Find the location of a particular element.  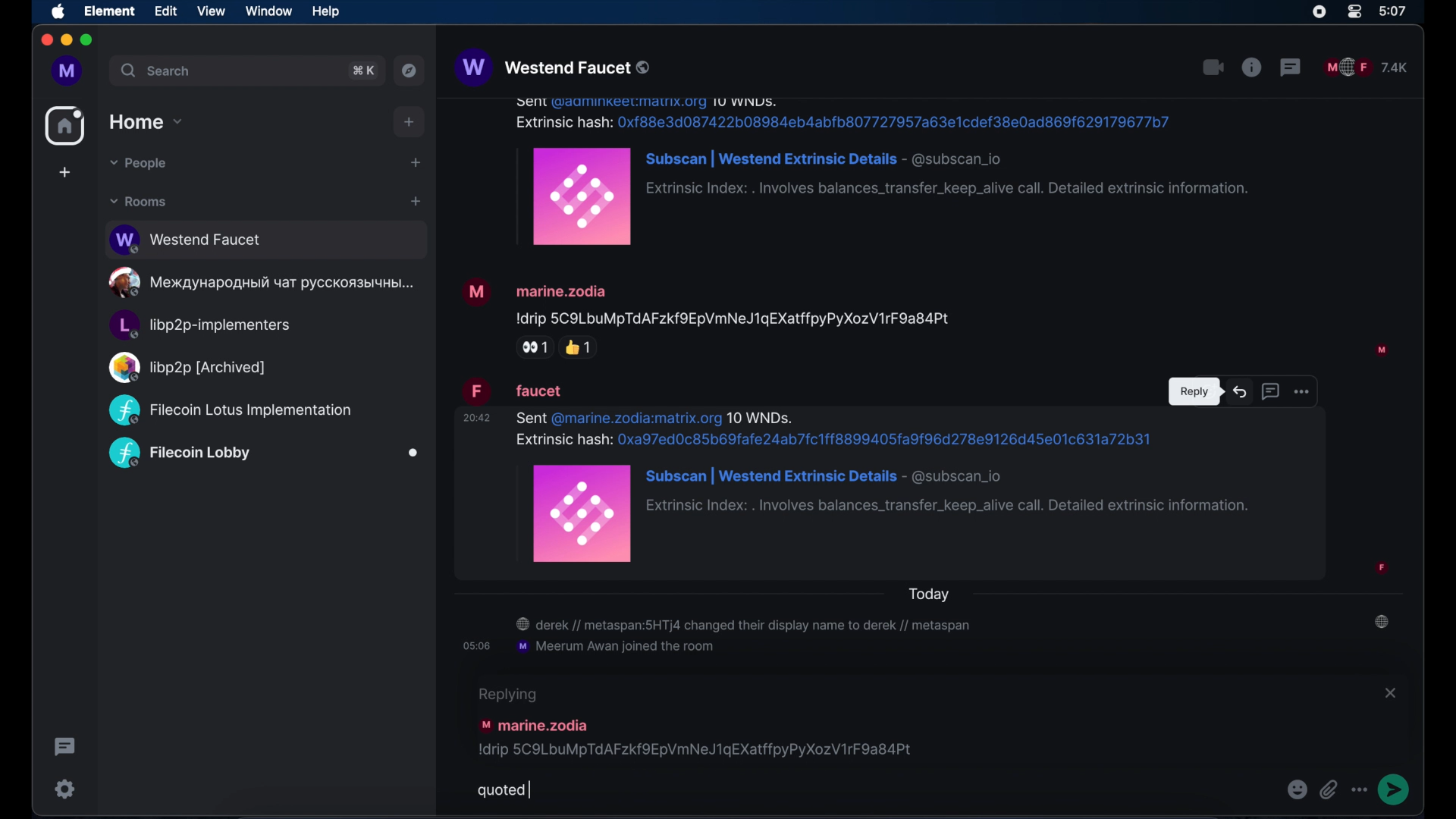

public room is located at coordinates (266, 240).